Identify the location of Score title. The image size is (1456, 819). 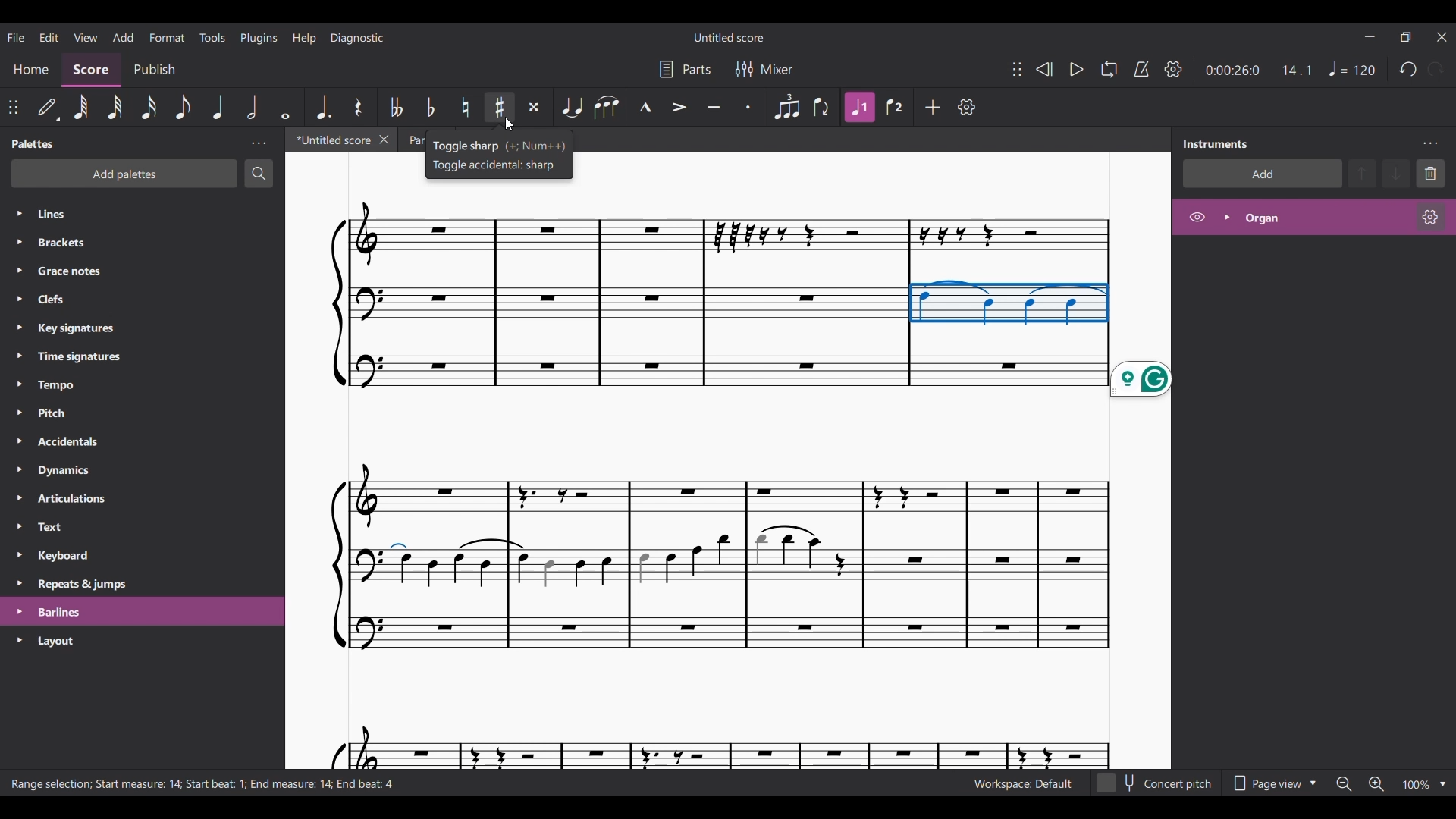
(728, 37).